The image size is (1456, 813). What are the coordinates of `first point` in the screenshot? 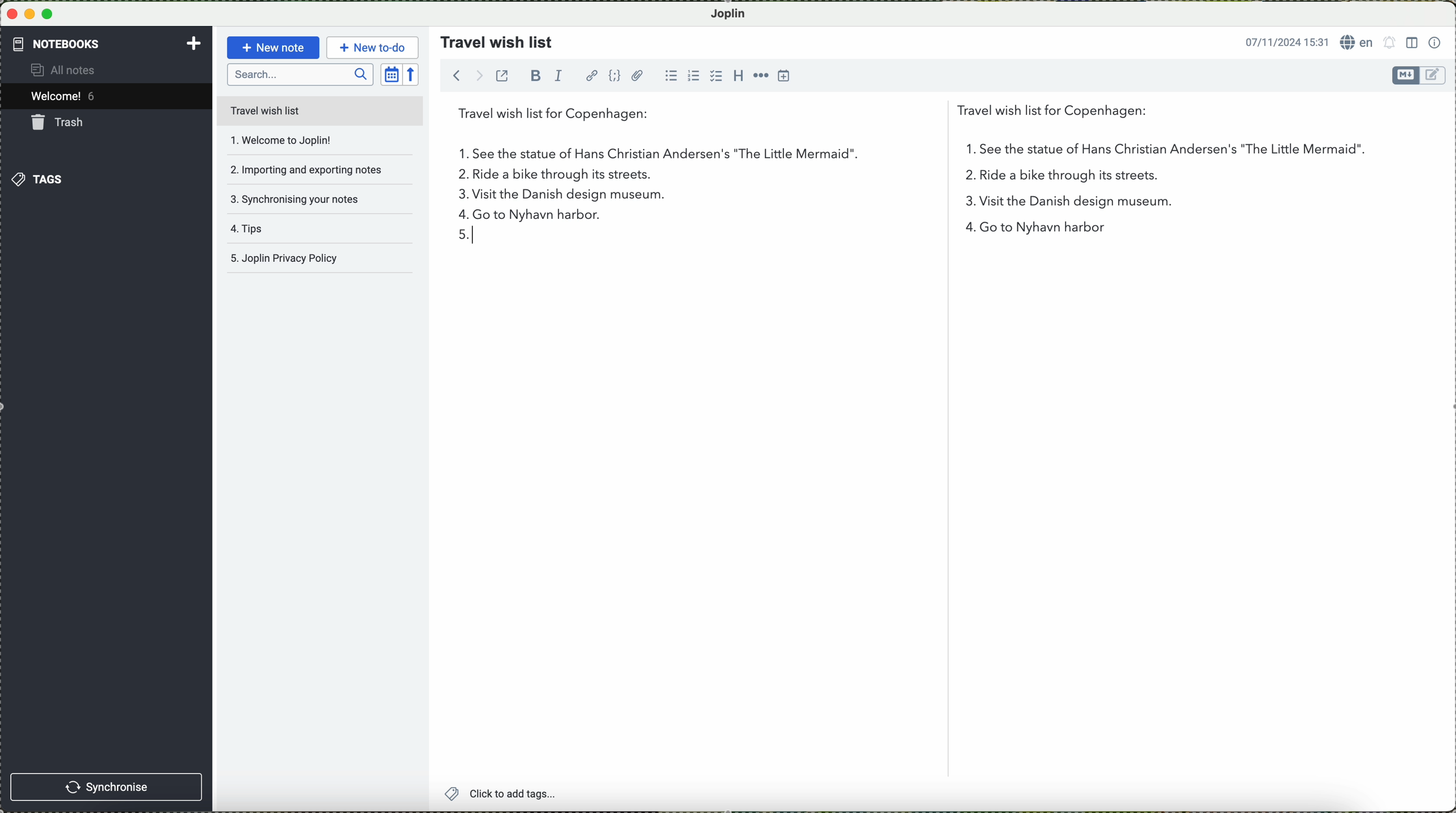 It's located at (899, 153).